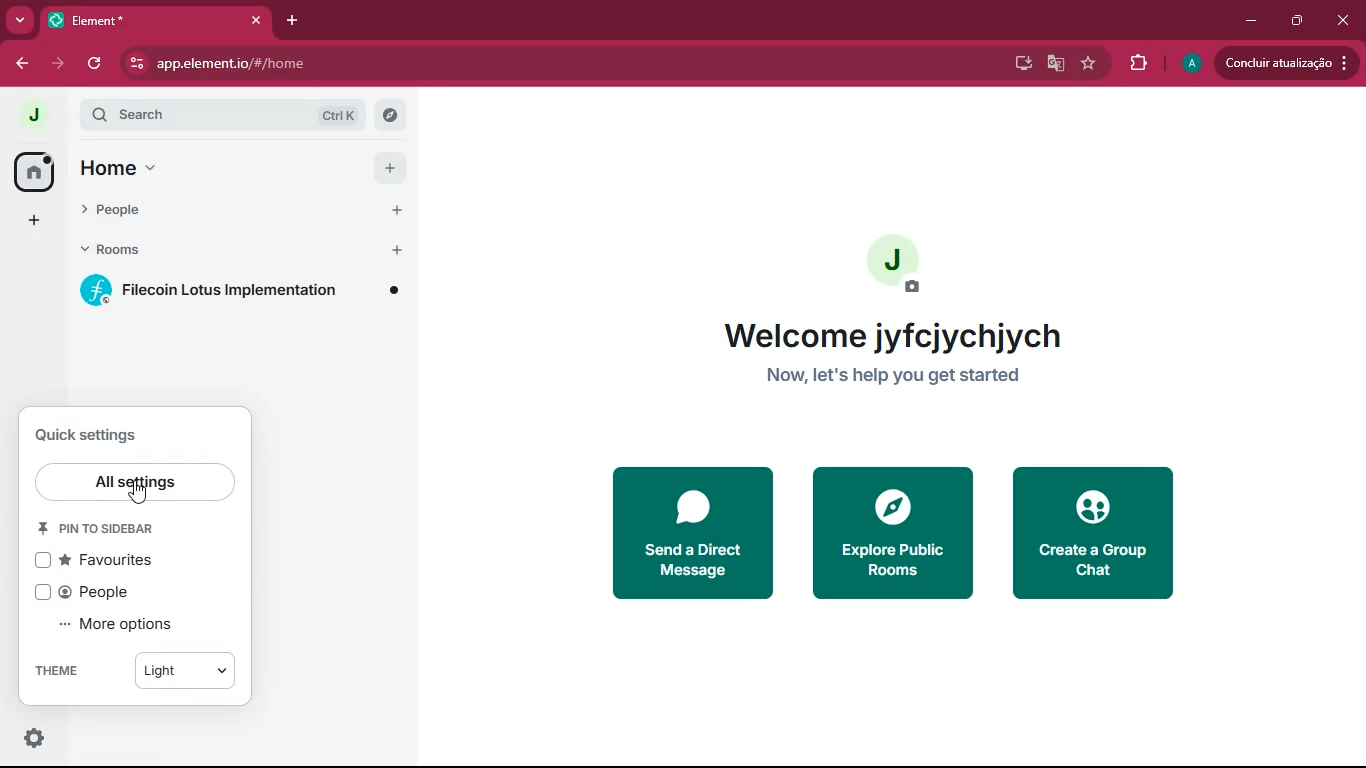 The image size is (1366, 768). I want to click on close tab, so click(257, 21).